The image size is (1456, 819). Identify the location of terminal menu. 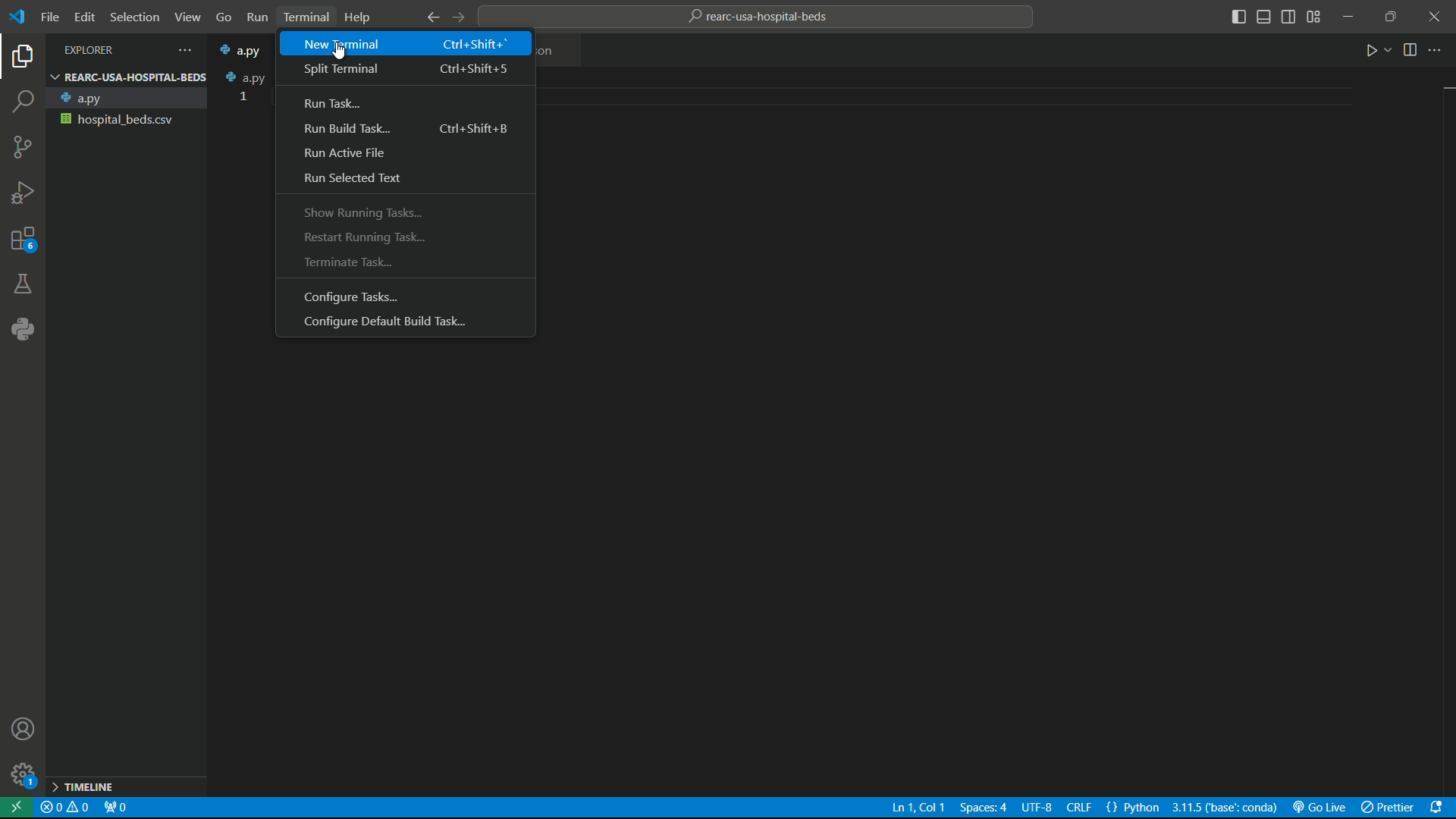
(304, 16).